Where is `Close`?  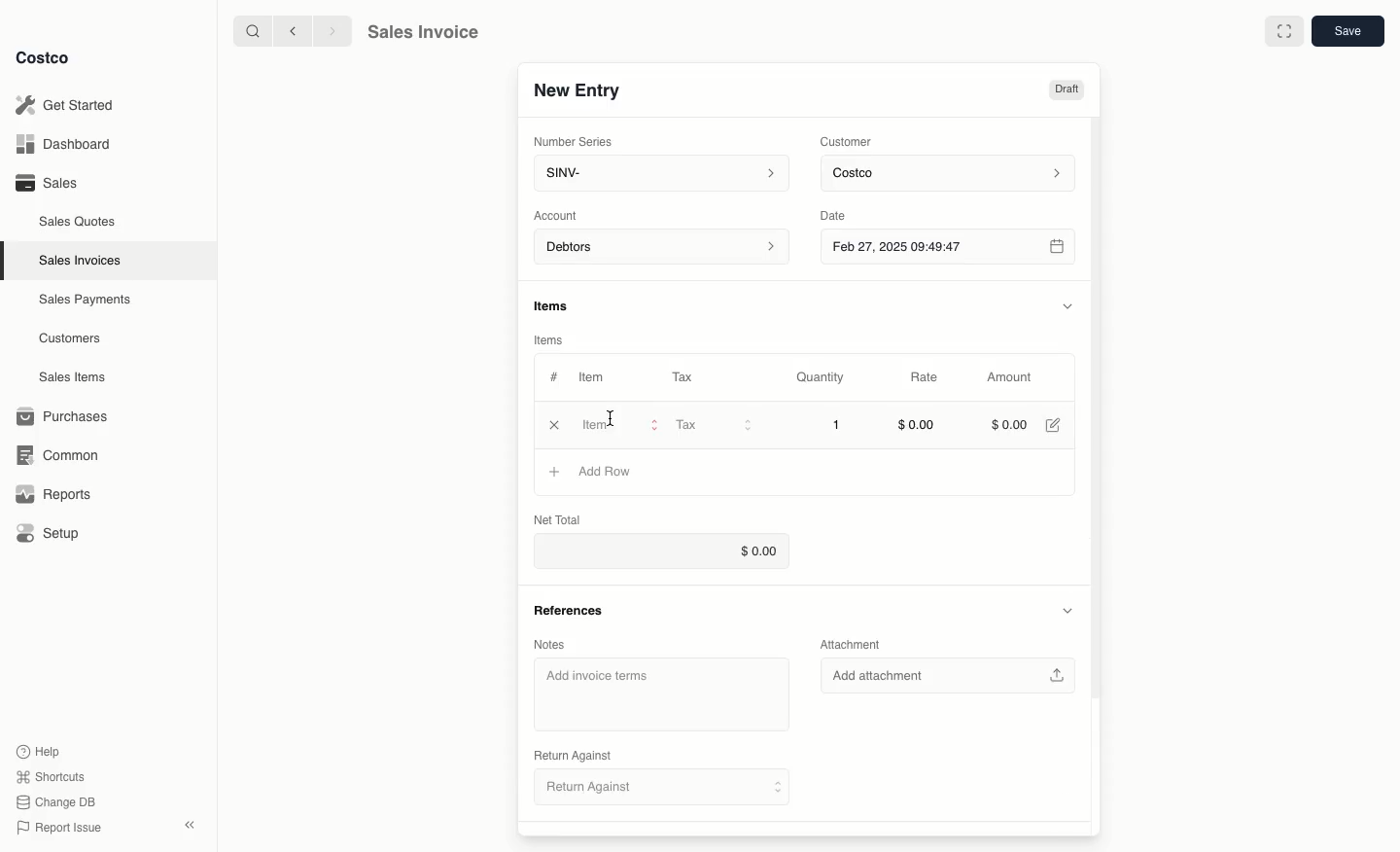 Close is located at coordinates (554, 424).